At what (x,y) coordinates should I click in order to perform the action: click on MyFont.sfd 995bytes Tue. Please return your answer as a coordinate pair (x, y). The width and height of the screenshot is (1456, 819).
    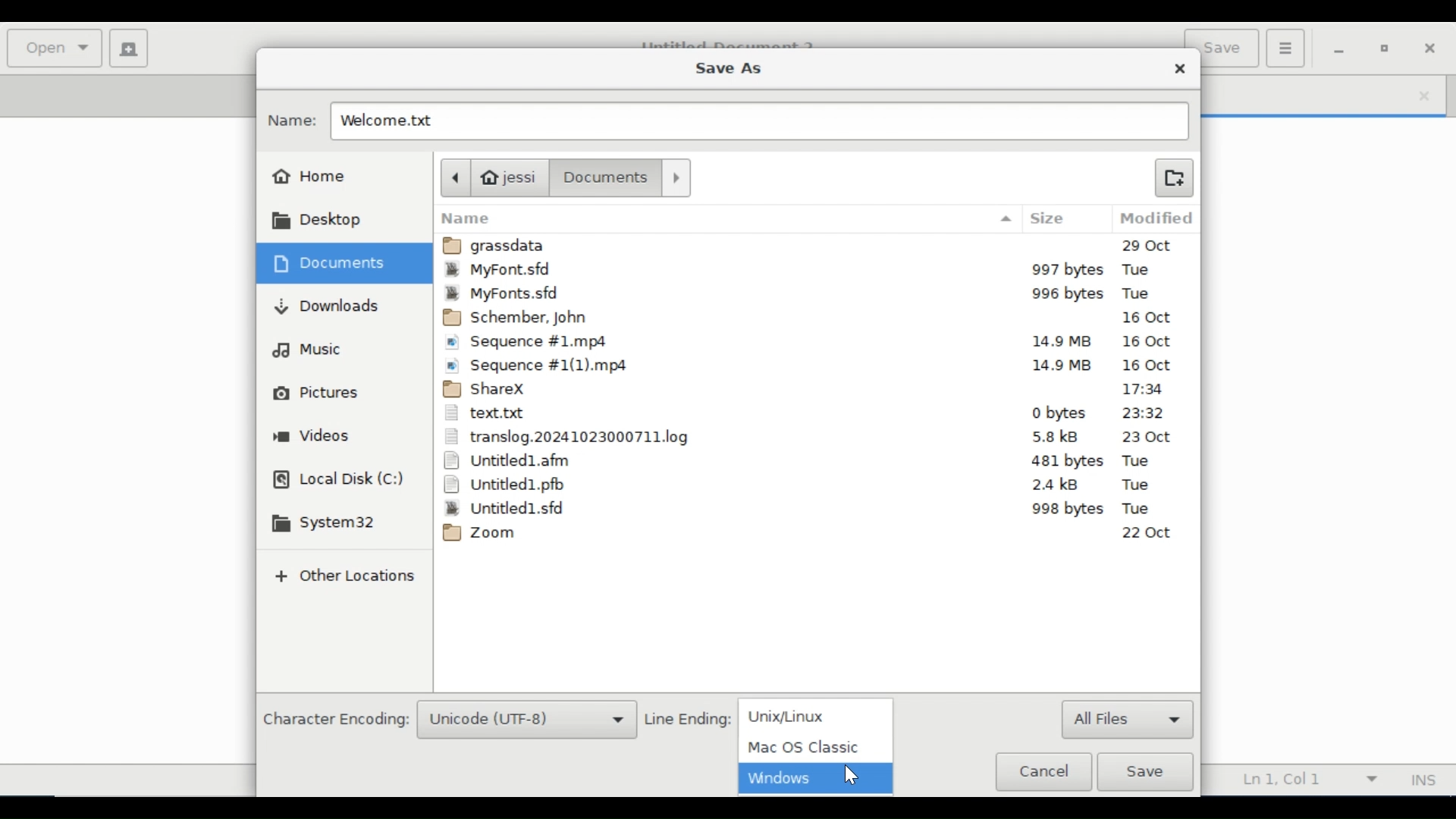
    Looking at the image, I should click on (817, 294).